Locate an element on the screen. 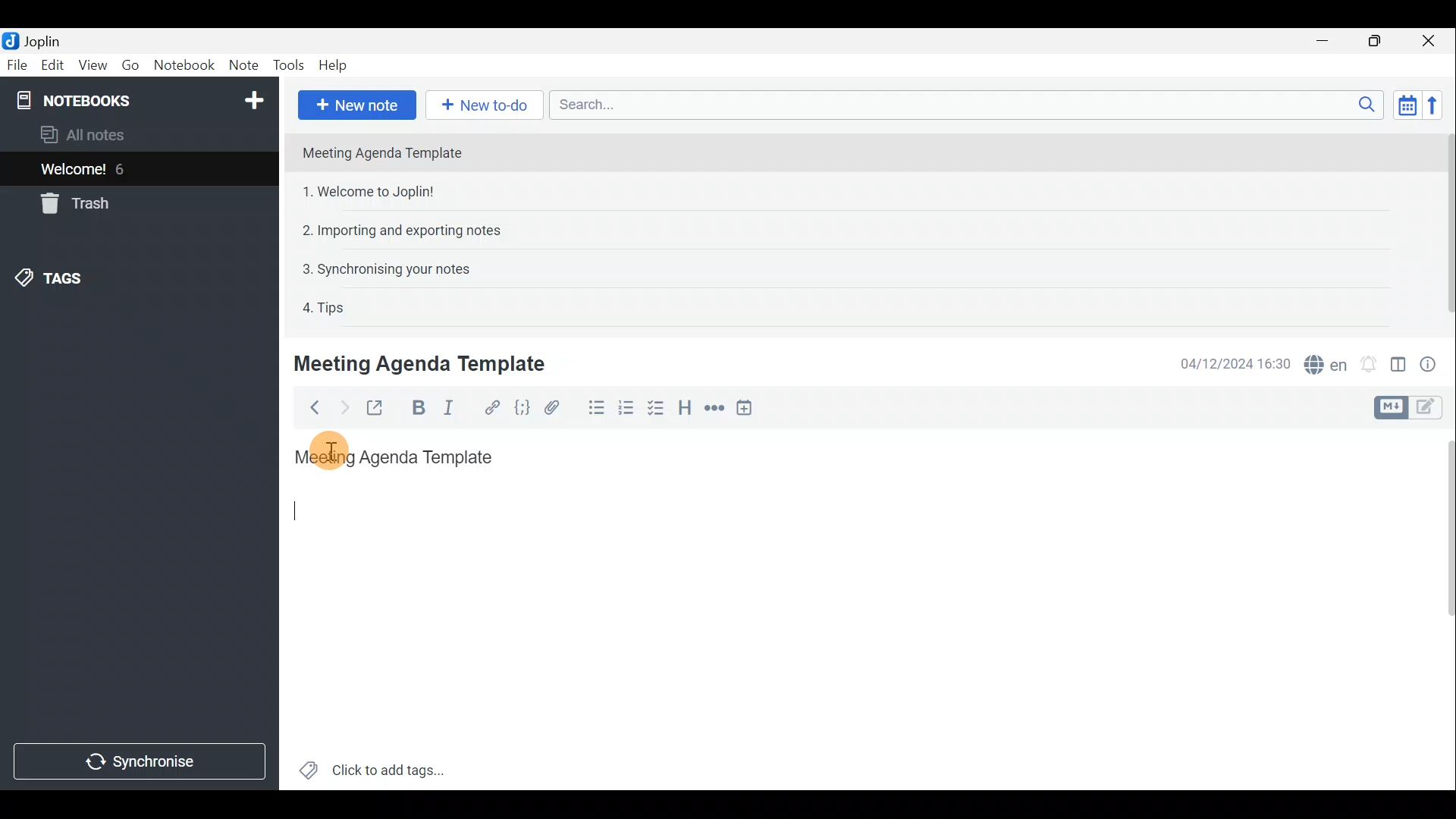 The image size is (1456, 819). Toggle editors is located at coordinates (1429, 409).